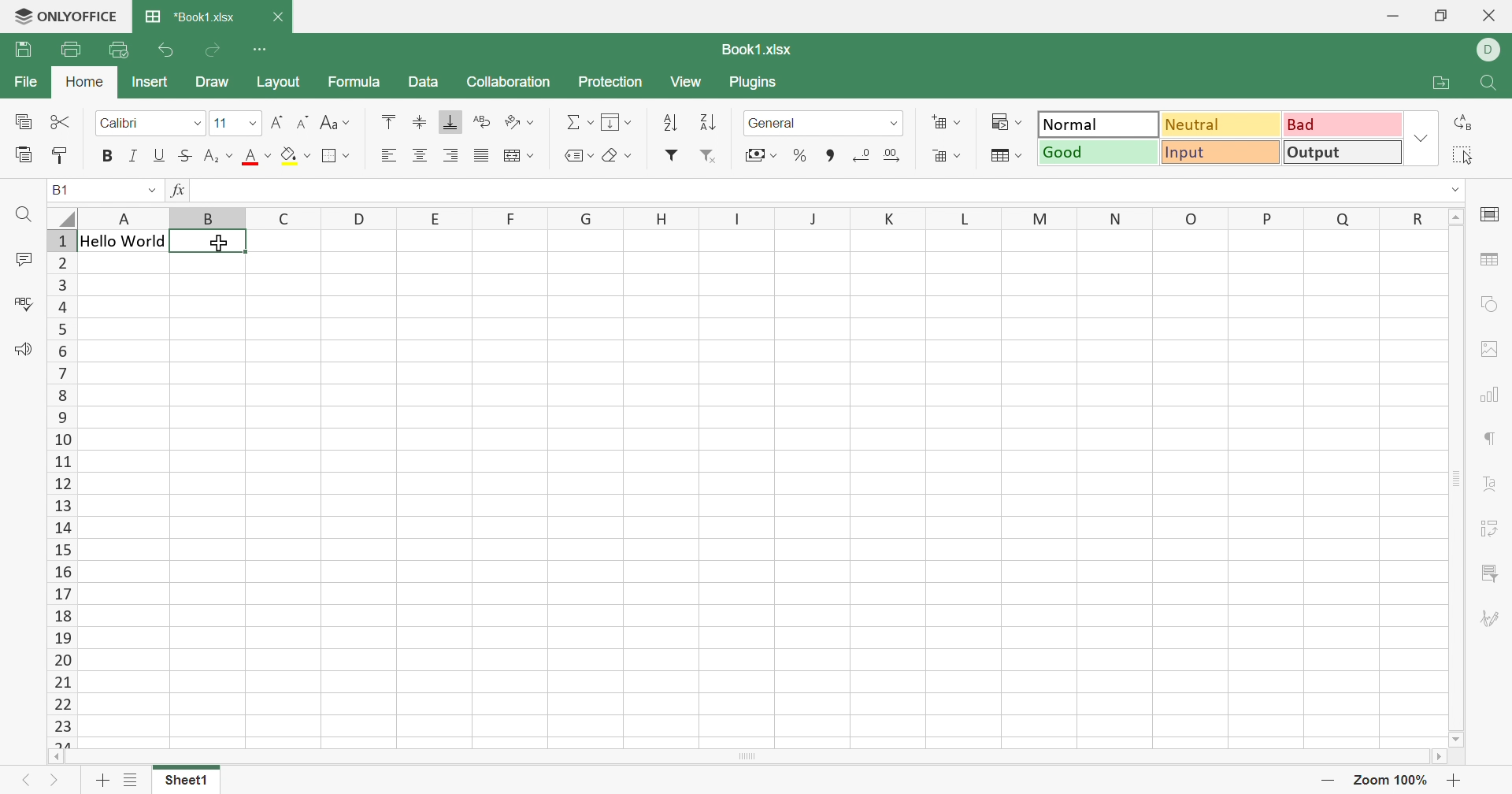 This screenshot has height=794, width=1512. What do you see at coordinates (1492, 213) in the screenshot?
I see `Cell settings` at bounding box center [1492, 213].